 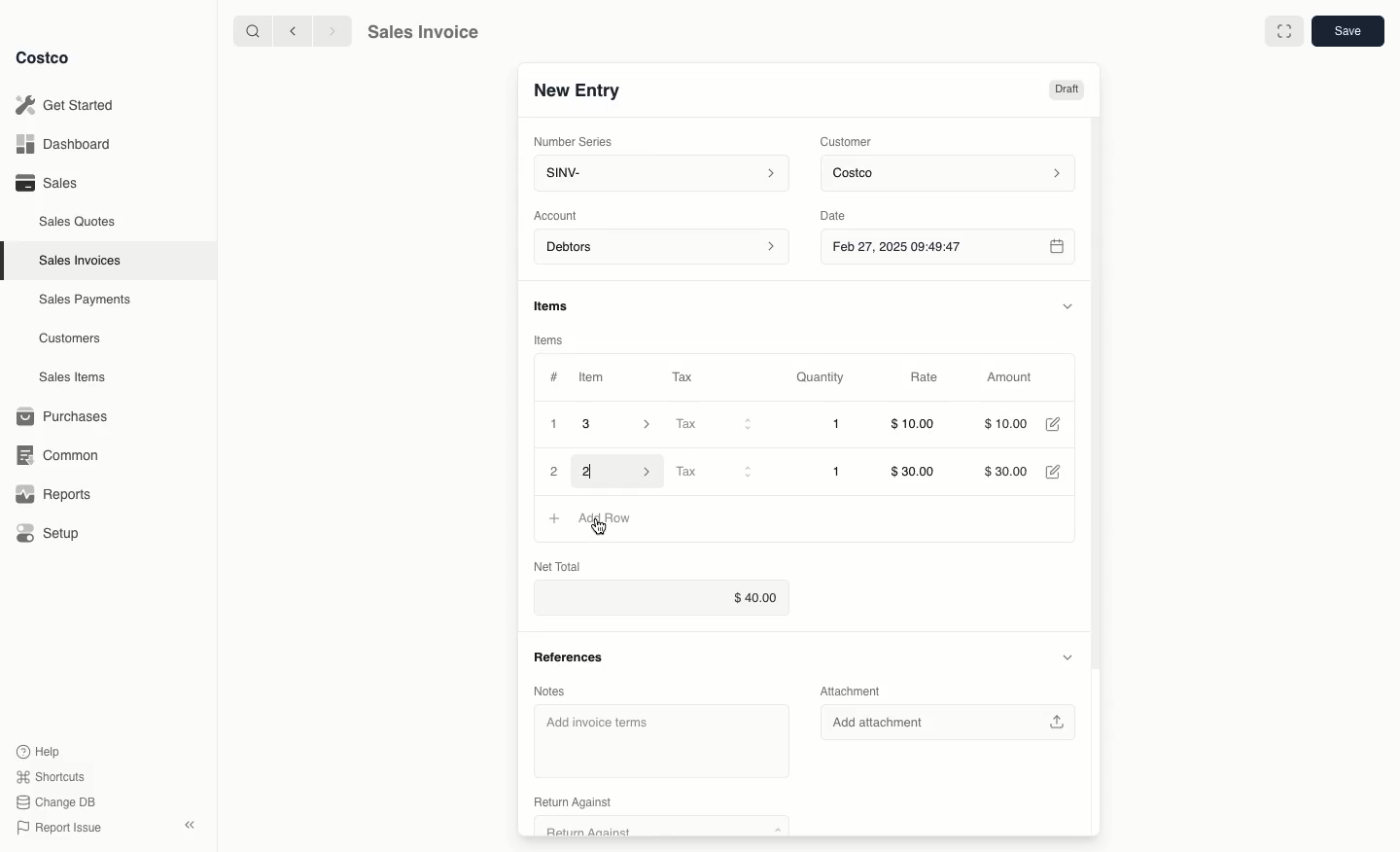 I want to click on Save, so click(x=1347, y=32).